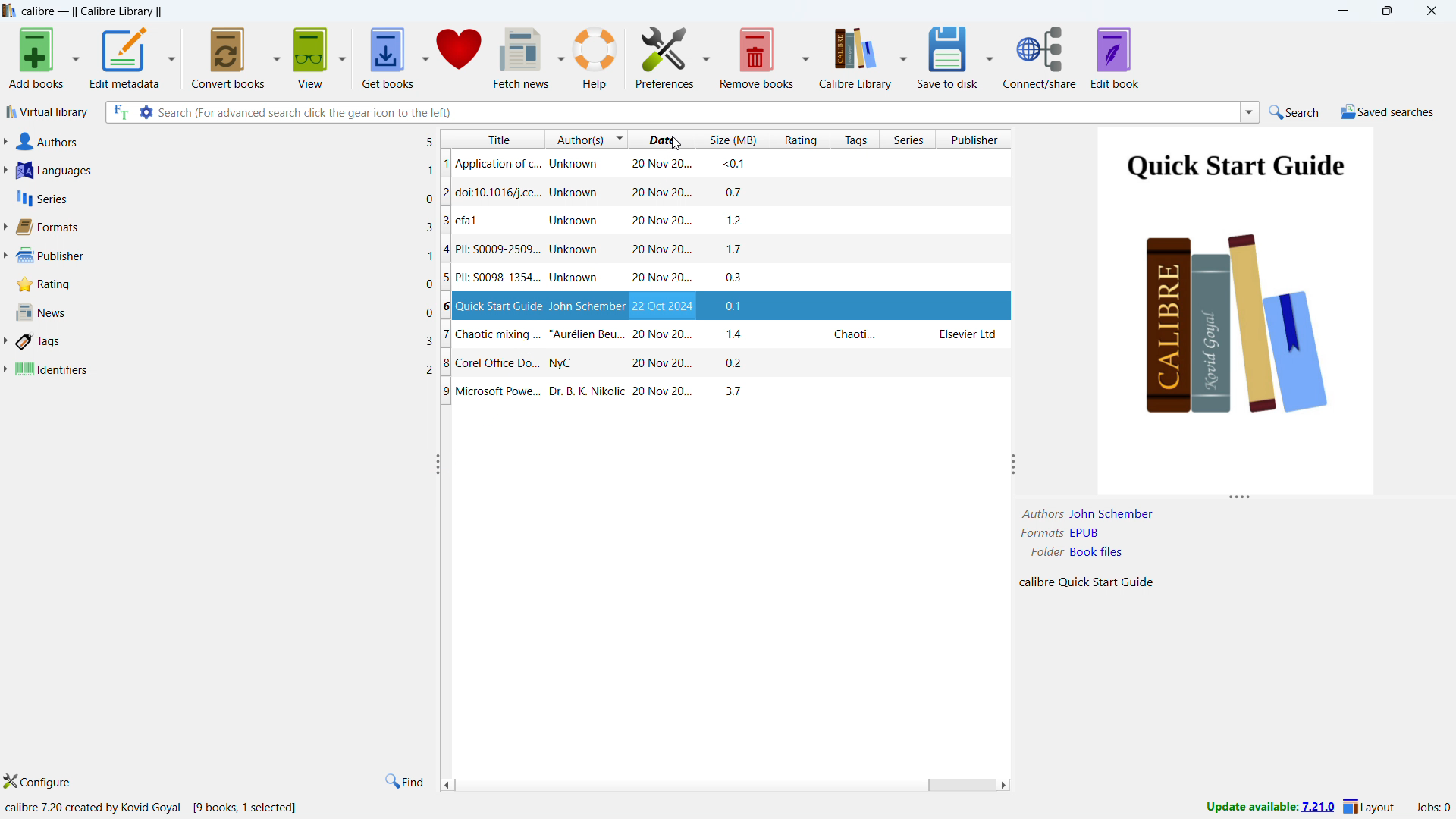 This screenshot has width=1456, height=819. Describe the element at coordinates (118, 111) in the screenshot. I see `search full text` at that location.